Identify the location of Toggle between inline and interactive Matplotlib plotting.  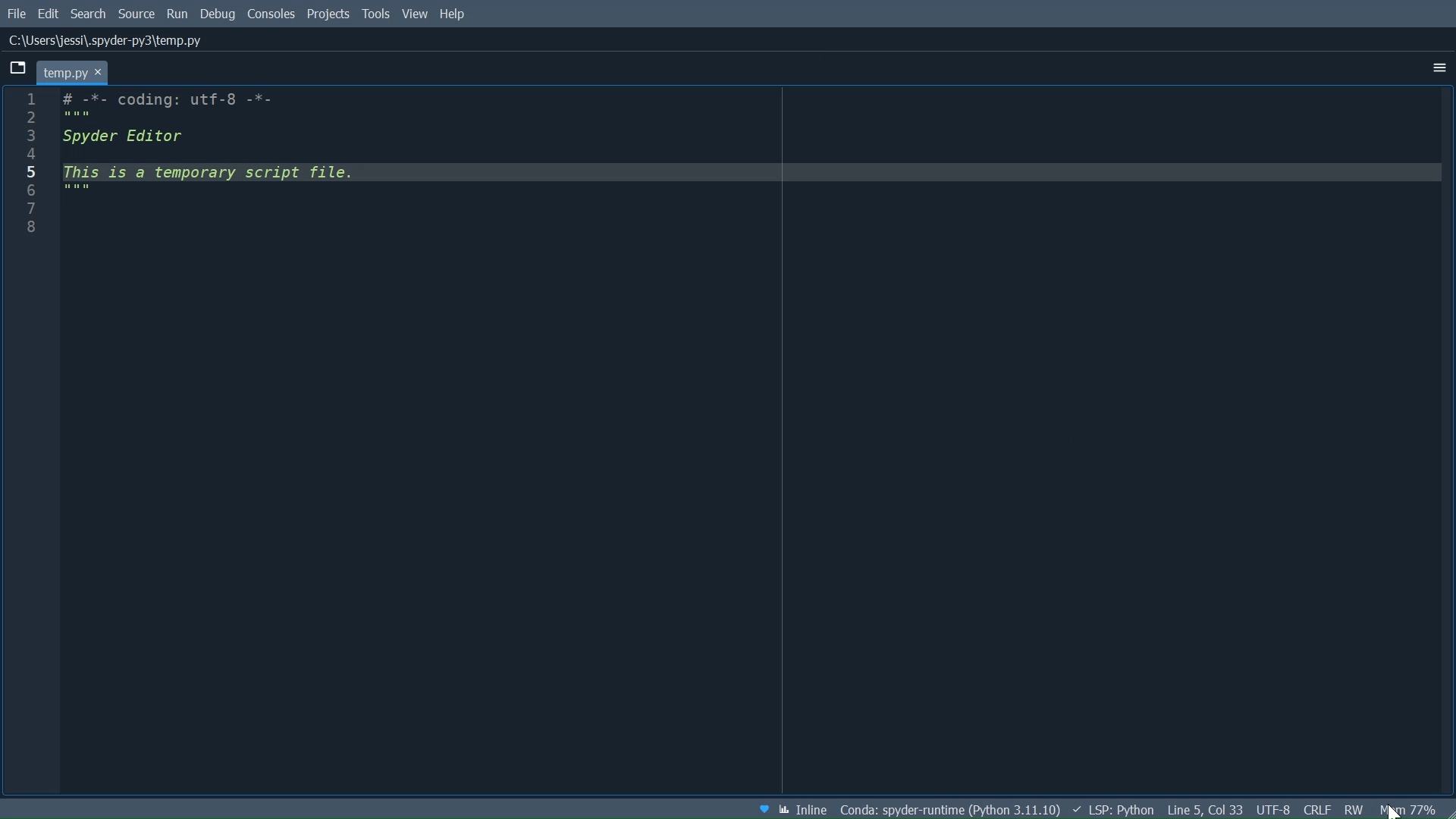
(803, 809).